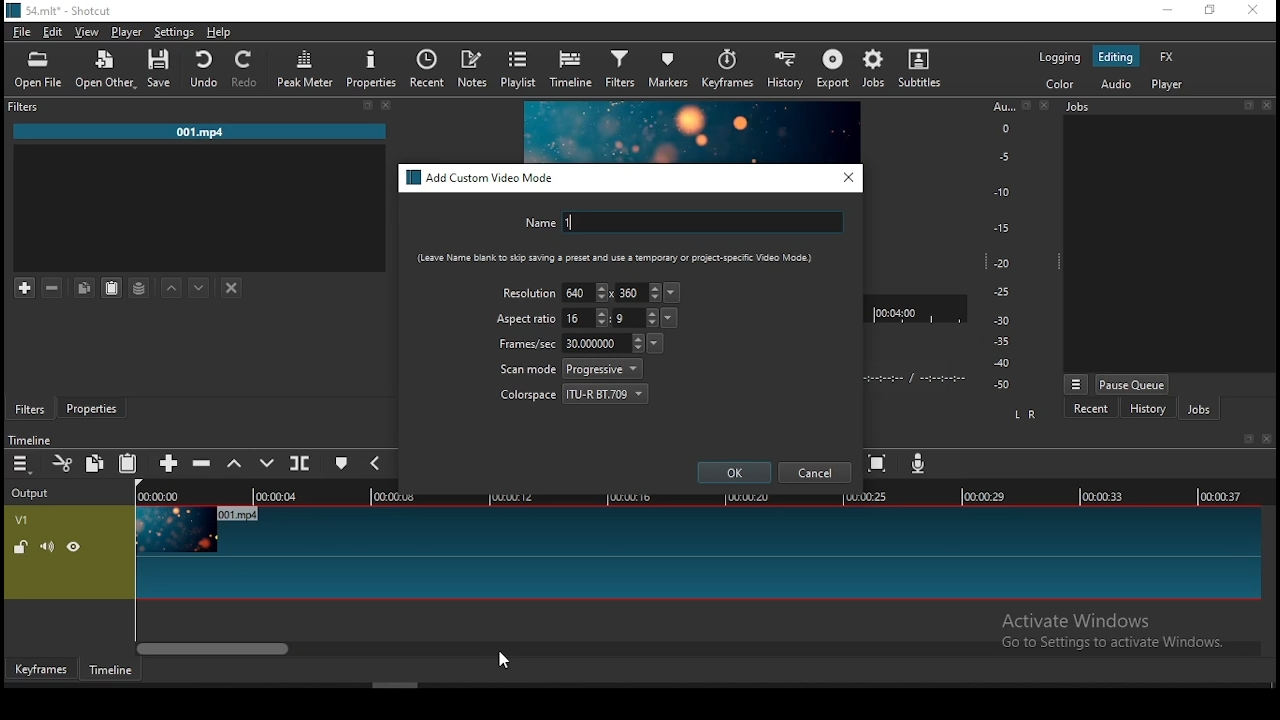 This screenshot has height=720, width=1280. What do you see at coordinates (520, 68) in the screenshot?
I see `playlist` at bounding box center [520, 68].